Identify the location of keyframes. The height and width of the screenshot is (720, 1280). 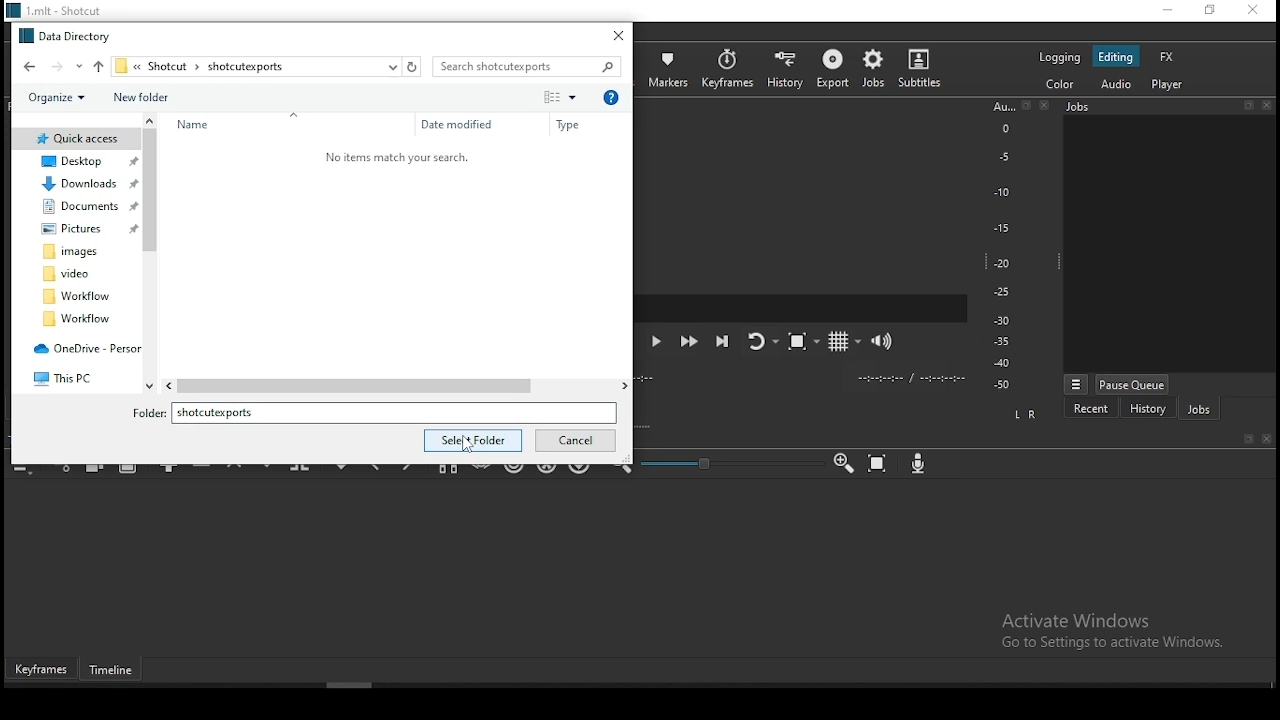
(727, 68).